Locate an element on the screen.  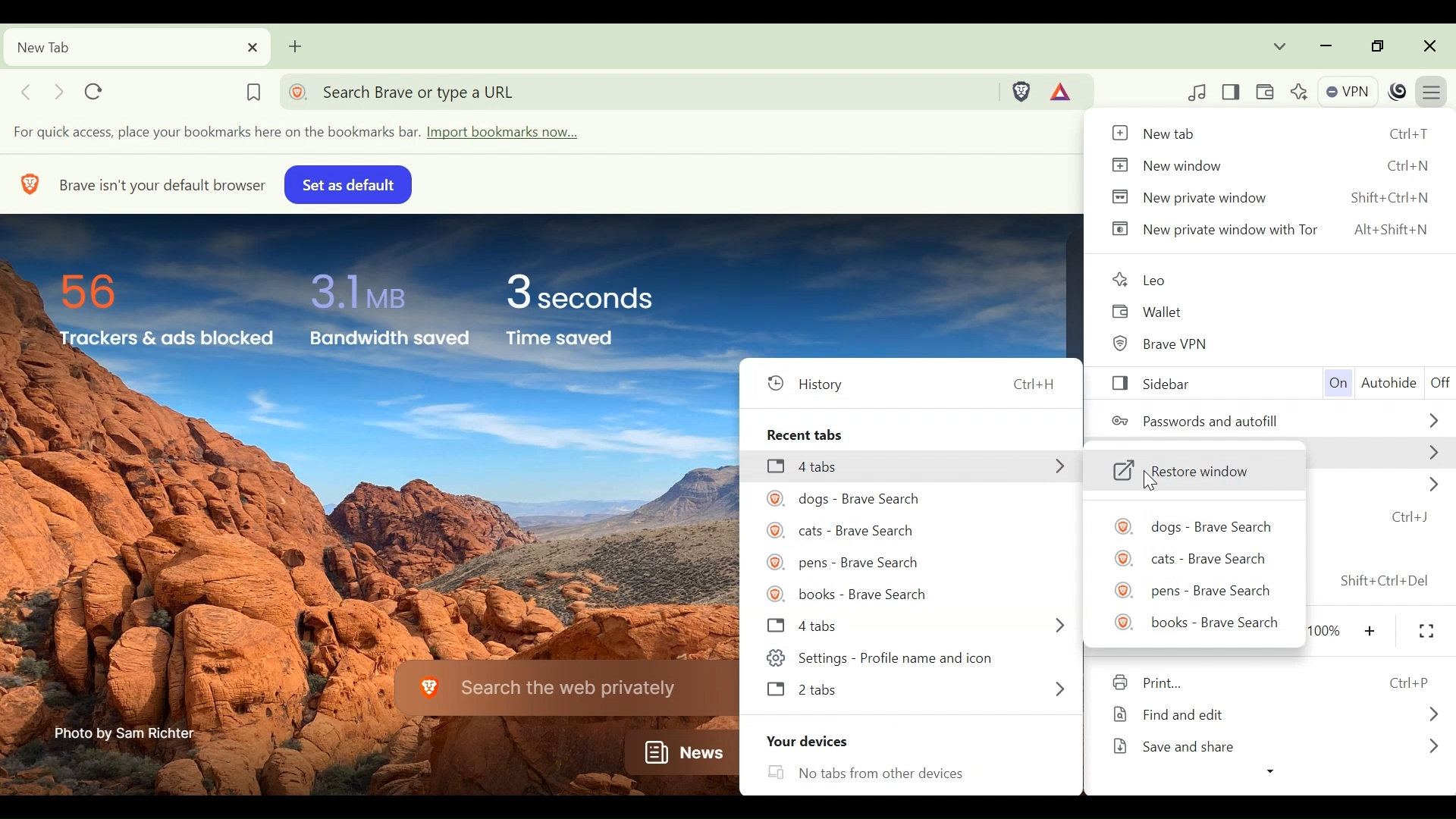
J 4tabs is located at coordinates (802, 626).